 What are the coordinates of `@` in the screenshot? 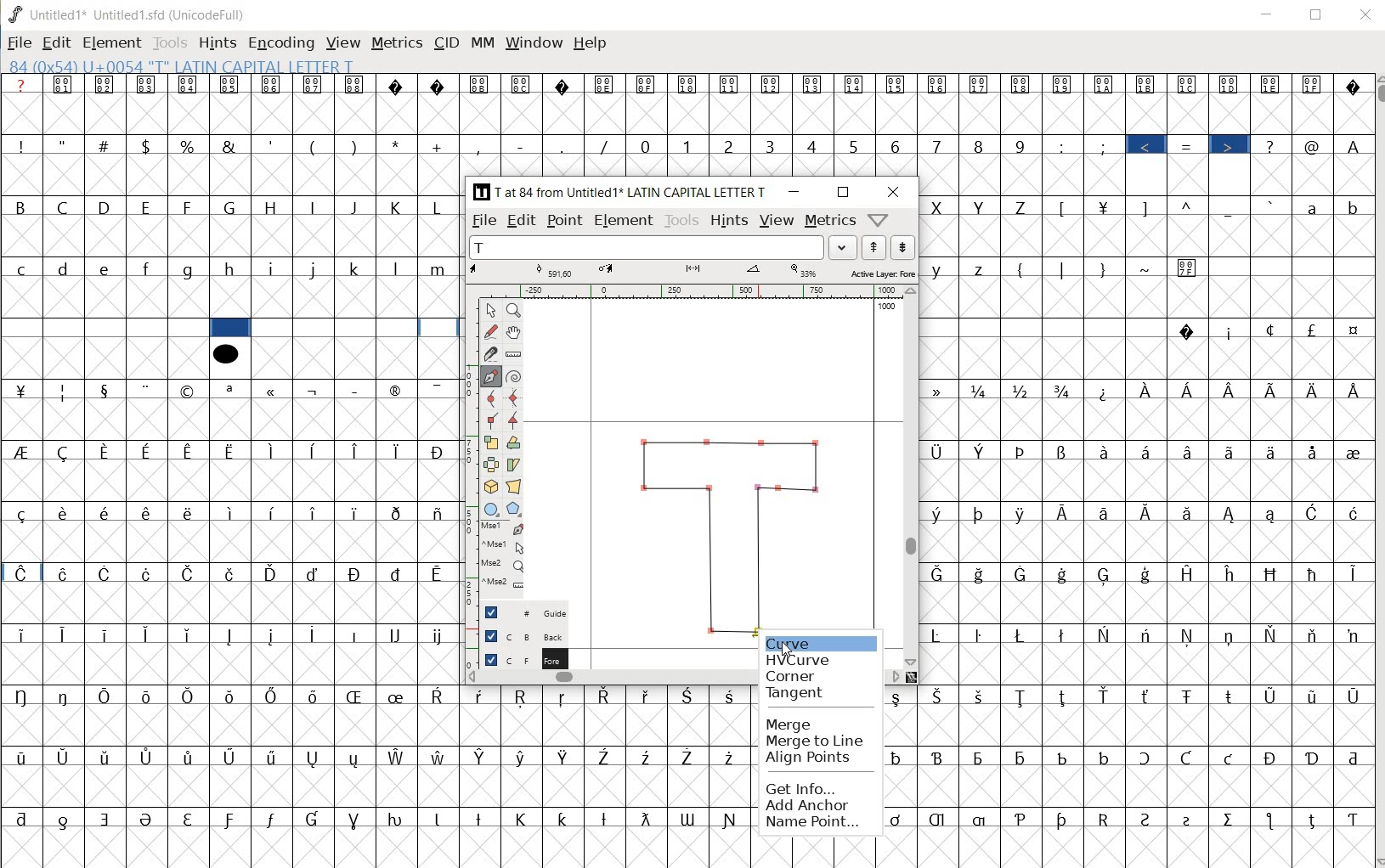 It's located at (1314, 146).